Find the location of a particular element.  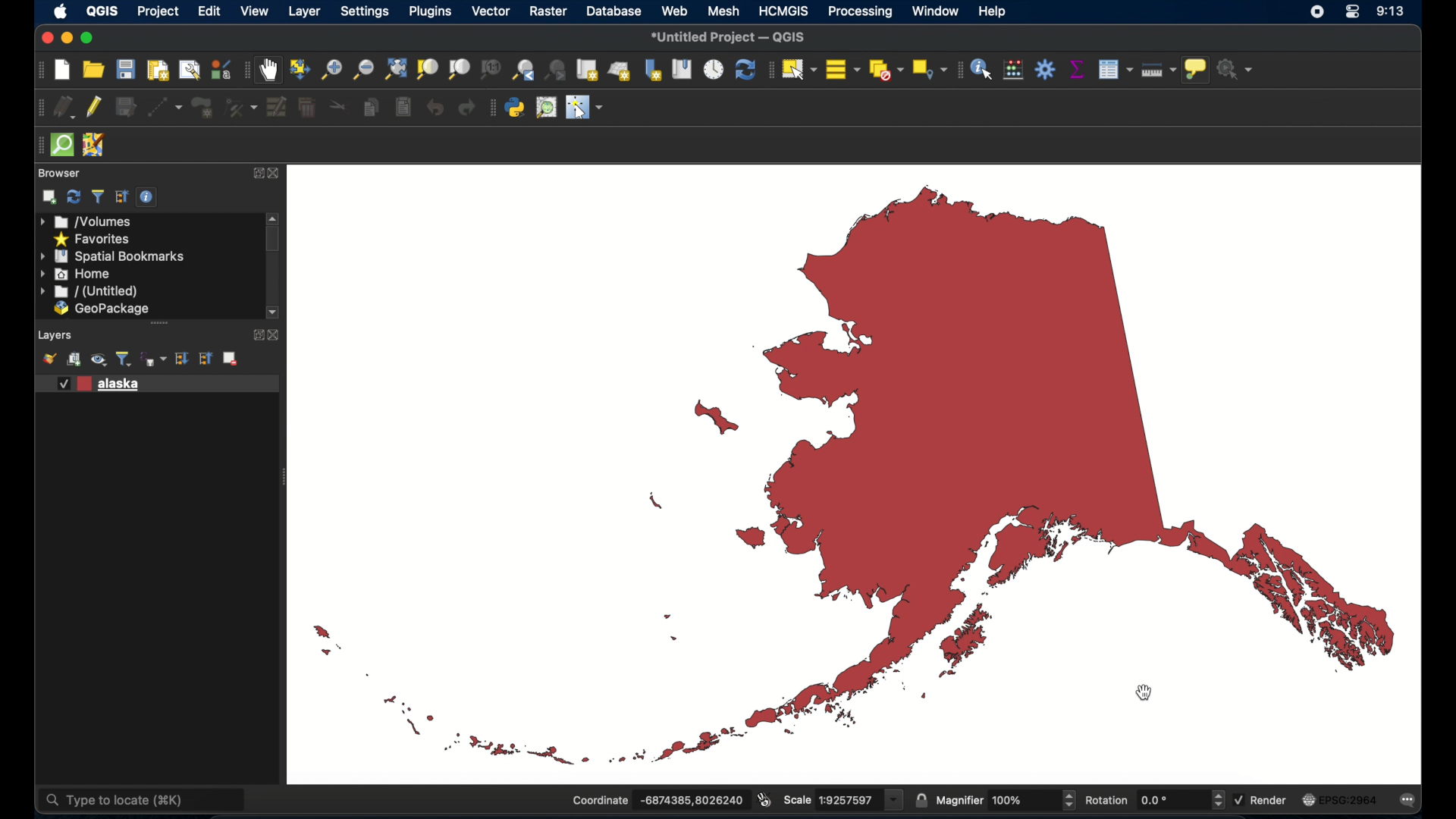

digitizing toolbar is located at coordinates (36, 107).